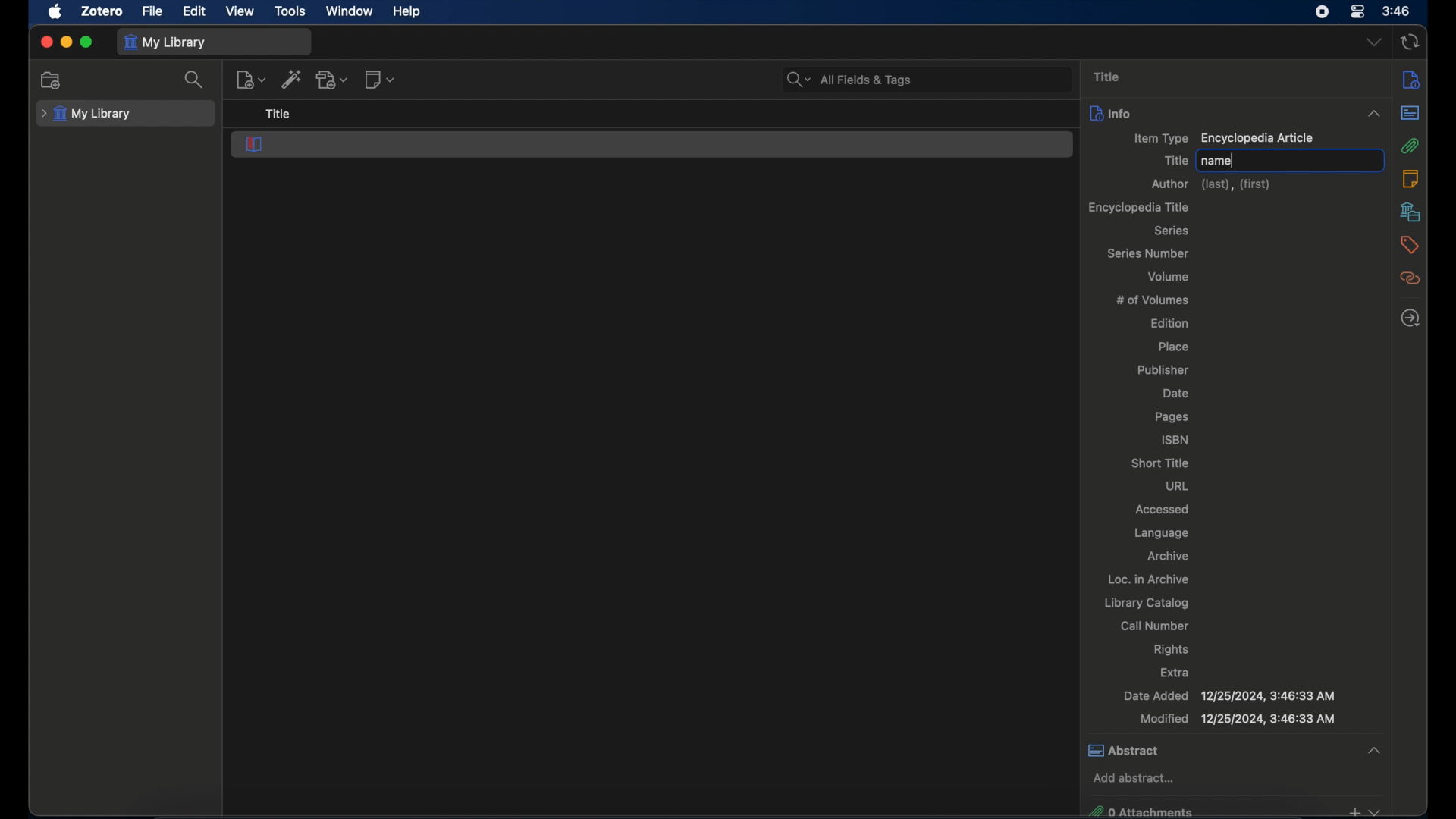 This screenshot has width=1456, height=819. I want to click on screen recorder, so click(1323, 11).